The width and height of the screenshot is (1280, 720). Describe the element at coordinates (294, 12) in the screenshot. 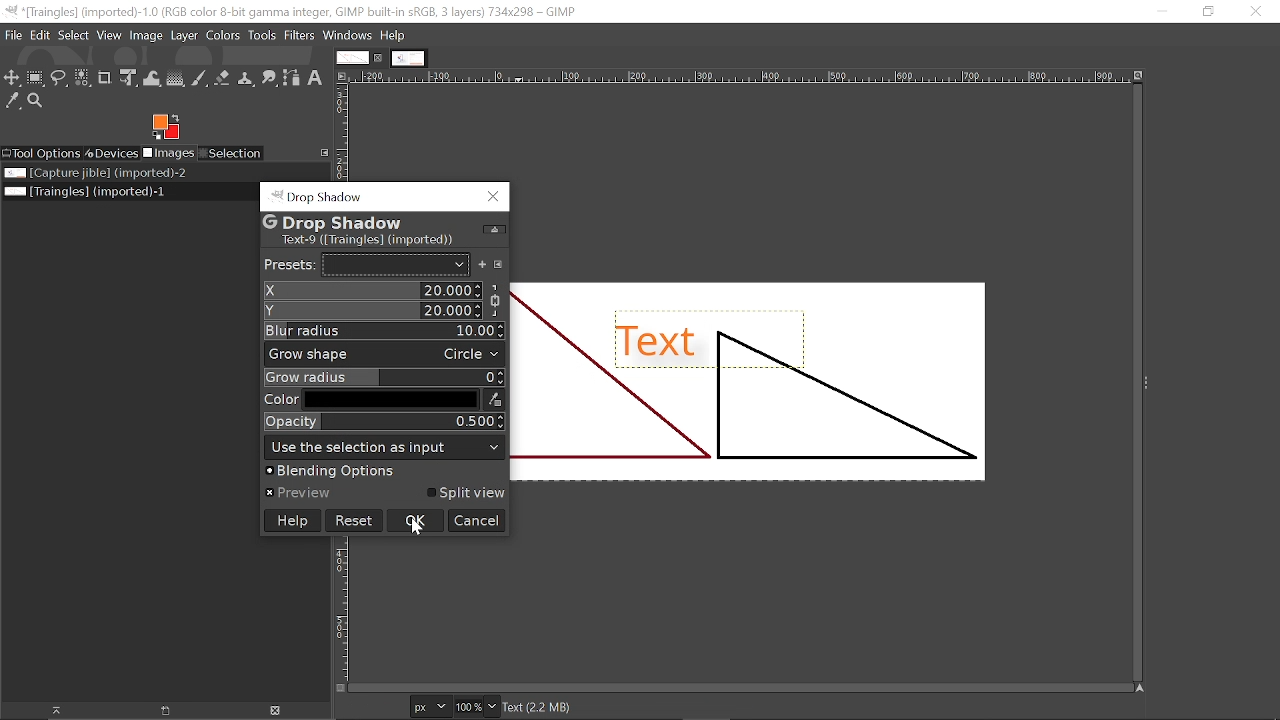

I see `Current window` at that location.